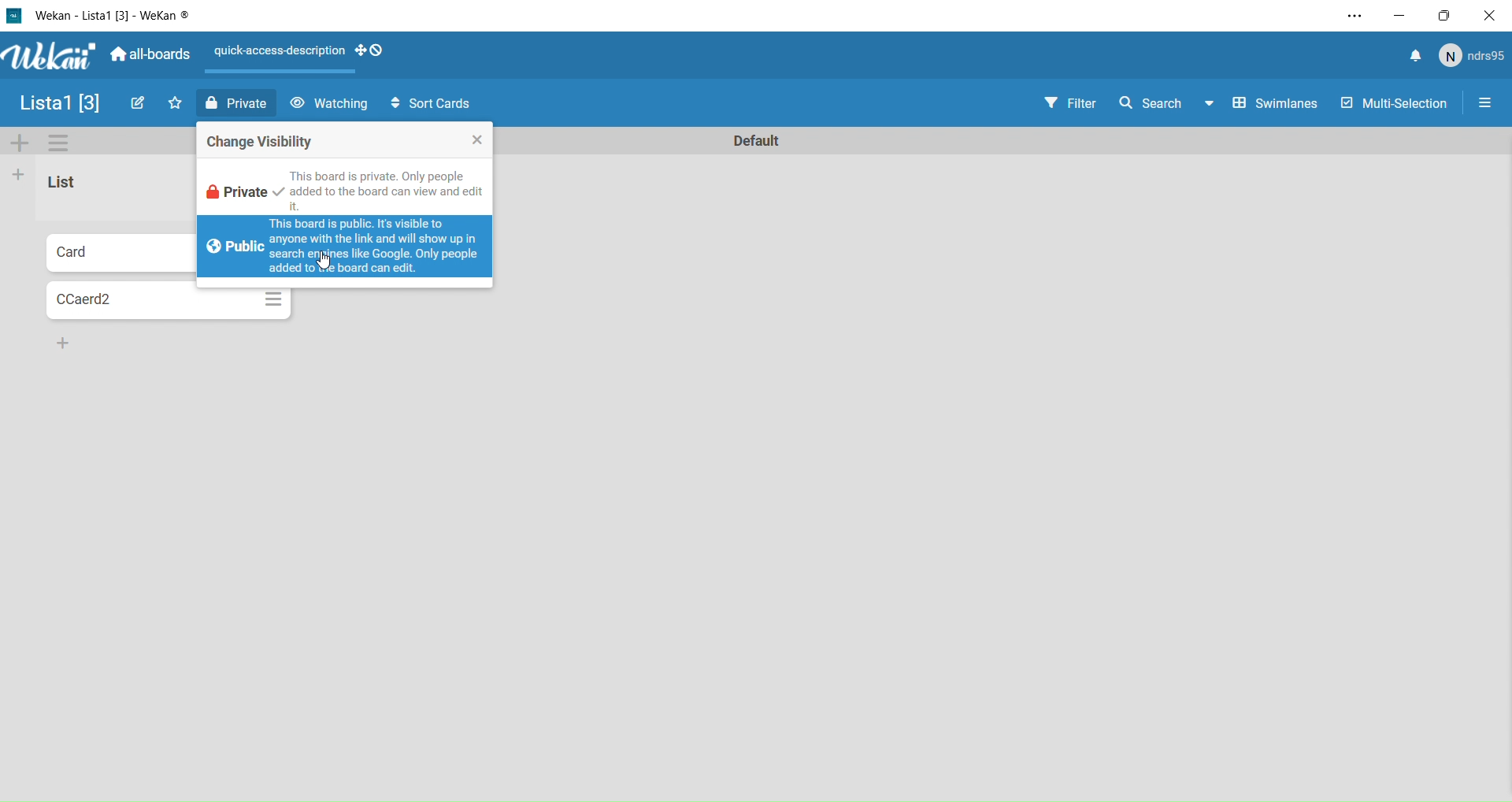  Describe the element at coordinates (328, 105) in the screenshot. I see `Watching` at that location.